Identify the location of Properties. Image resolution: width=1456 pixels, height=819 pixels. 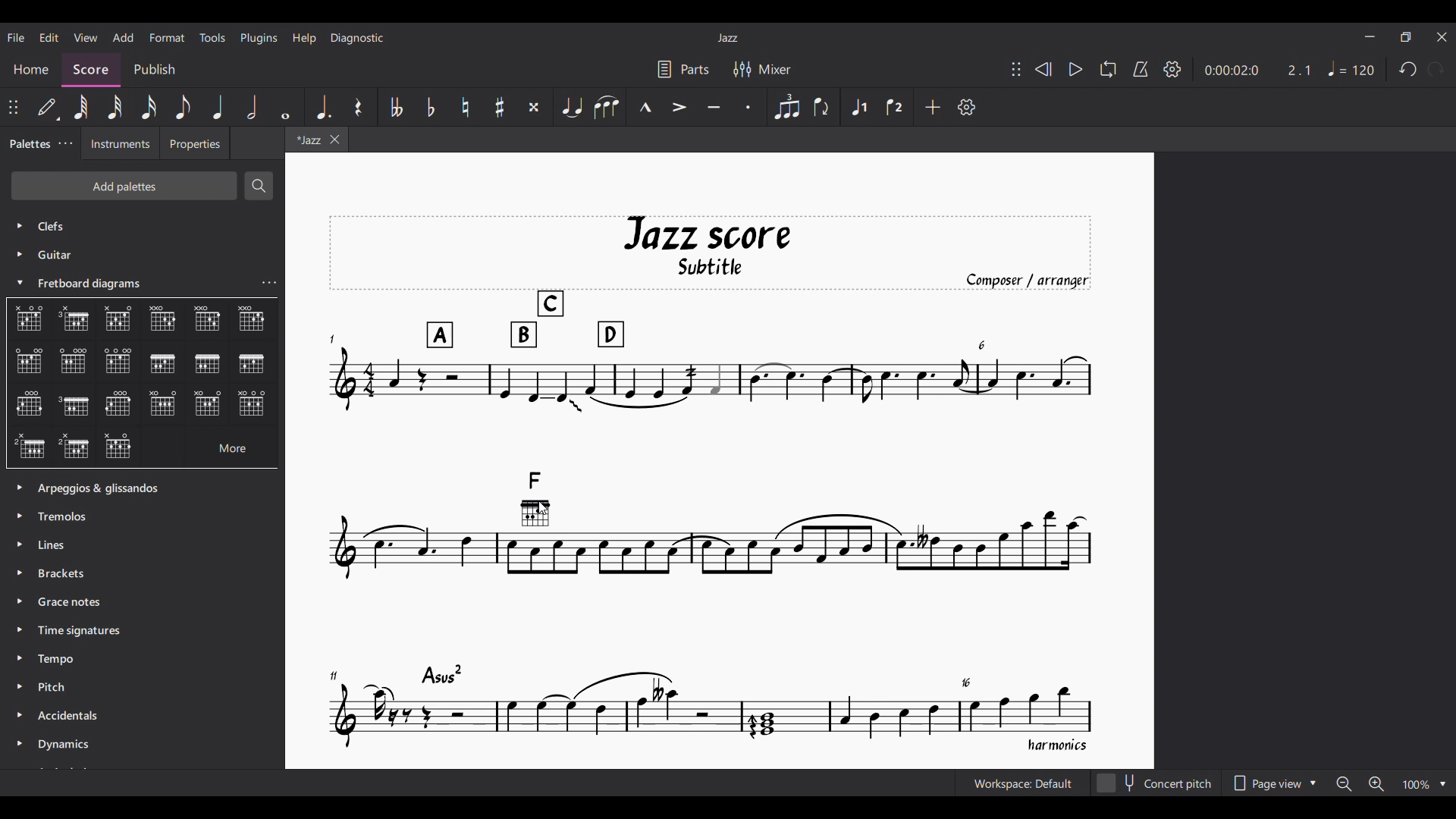
(196, 144).